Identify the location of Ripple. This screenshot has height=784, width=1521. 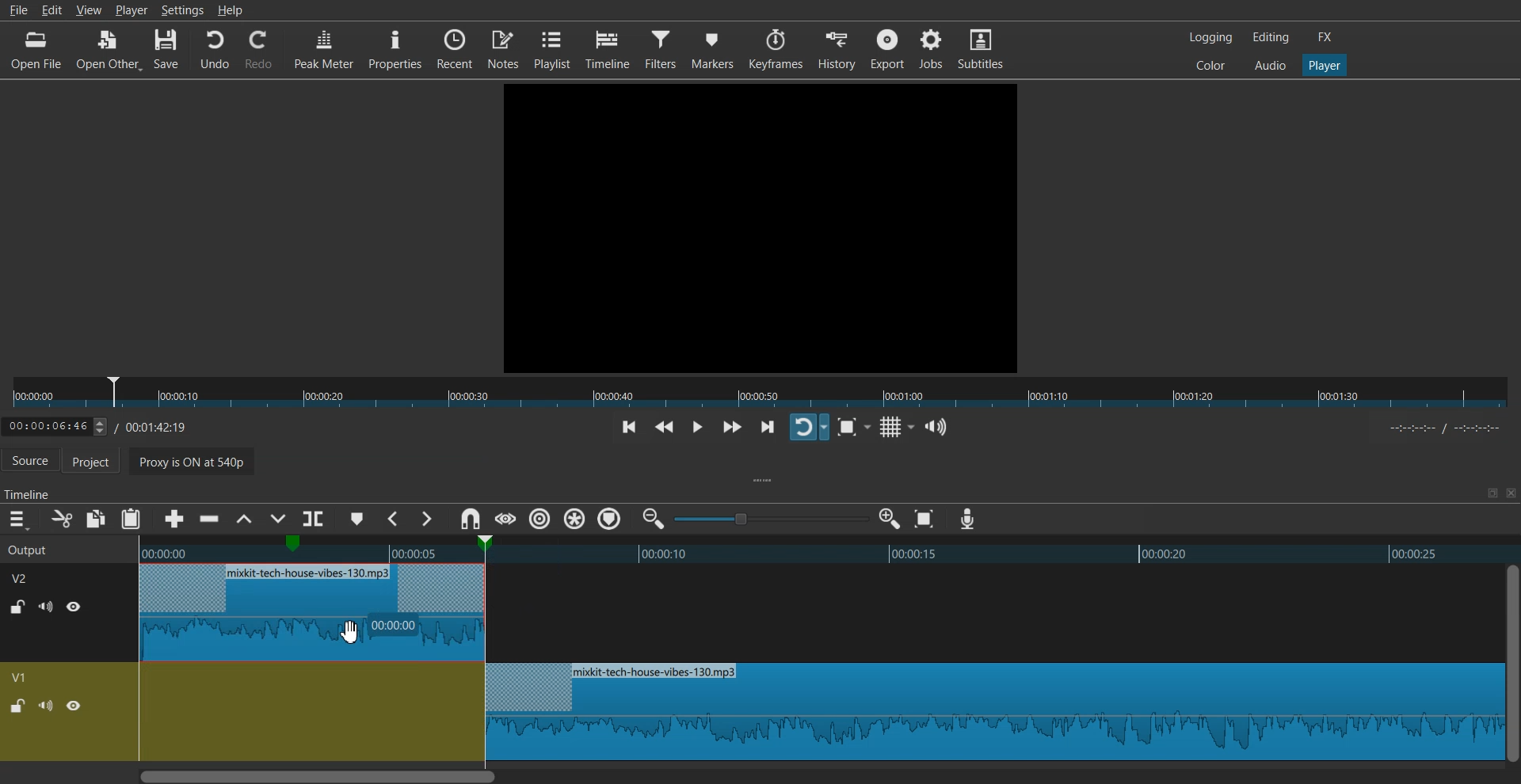
(540, 519).